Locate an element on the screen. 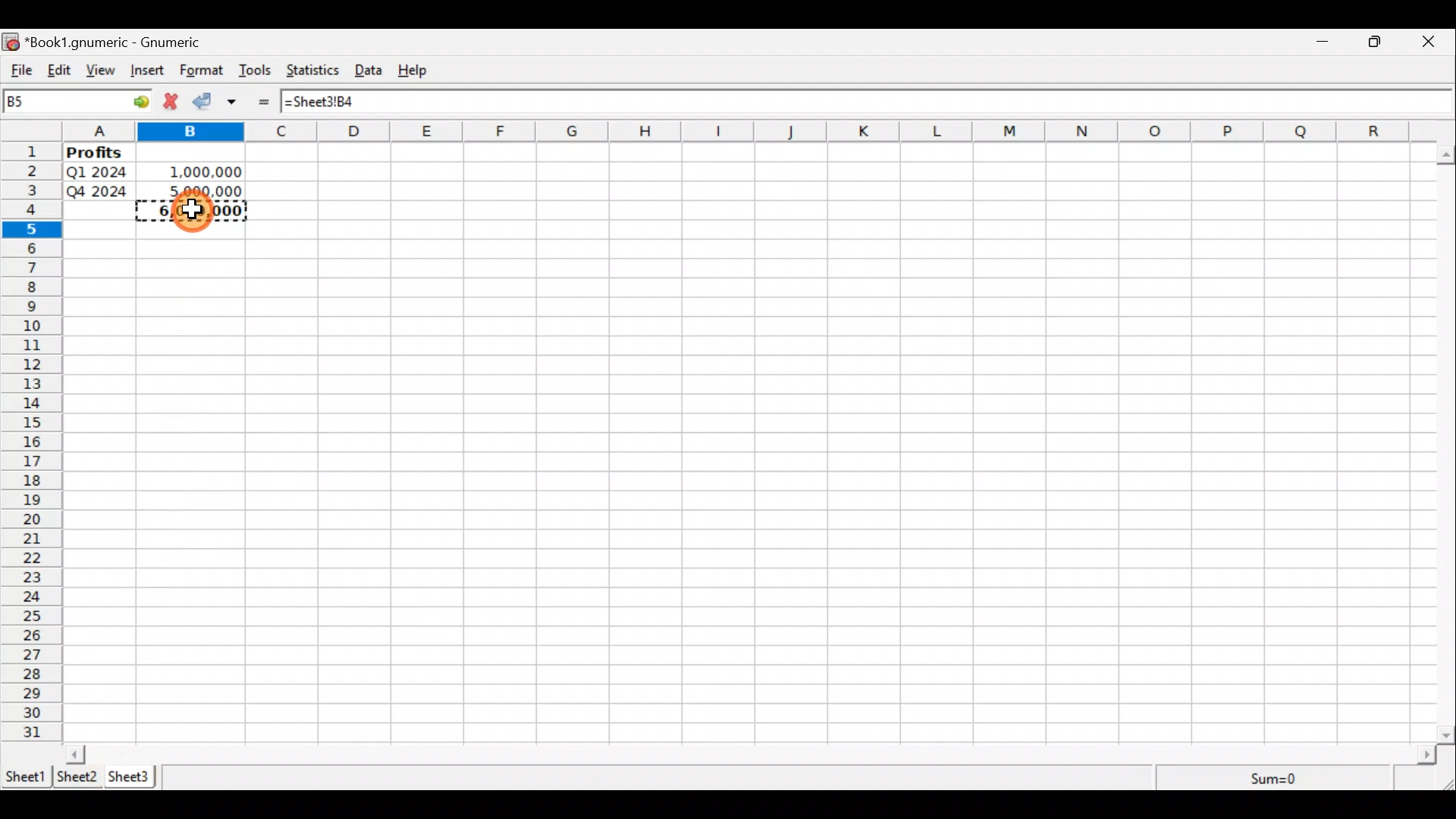 The height and width of the screenshot is (819, 1456). Cells is located at coordinates (884, 439).